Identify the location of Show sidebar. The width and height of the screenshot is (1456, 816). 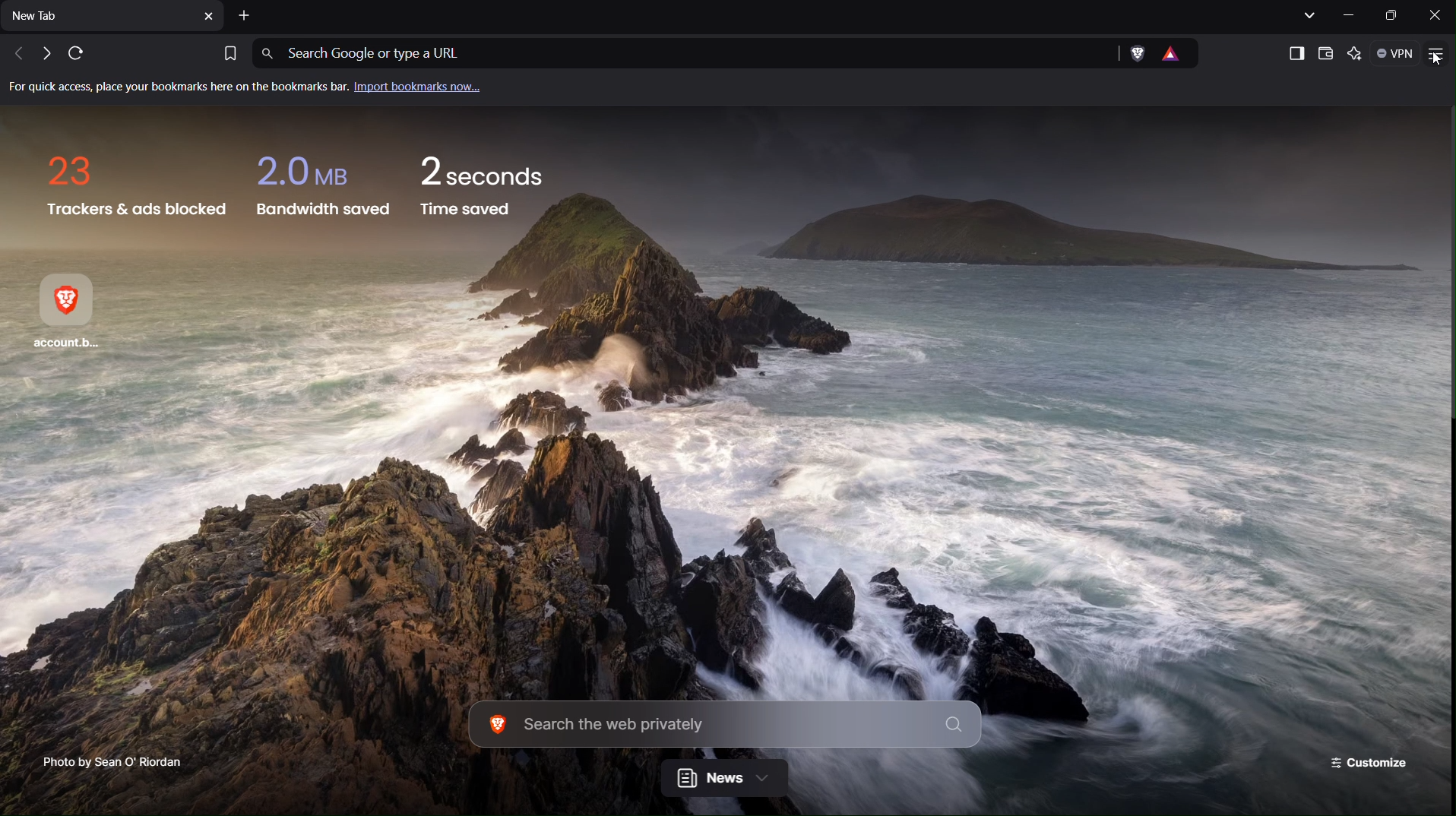
(1293, 52).